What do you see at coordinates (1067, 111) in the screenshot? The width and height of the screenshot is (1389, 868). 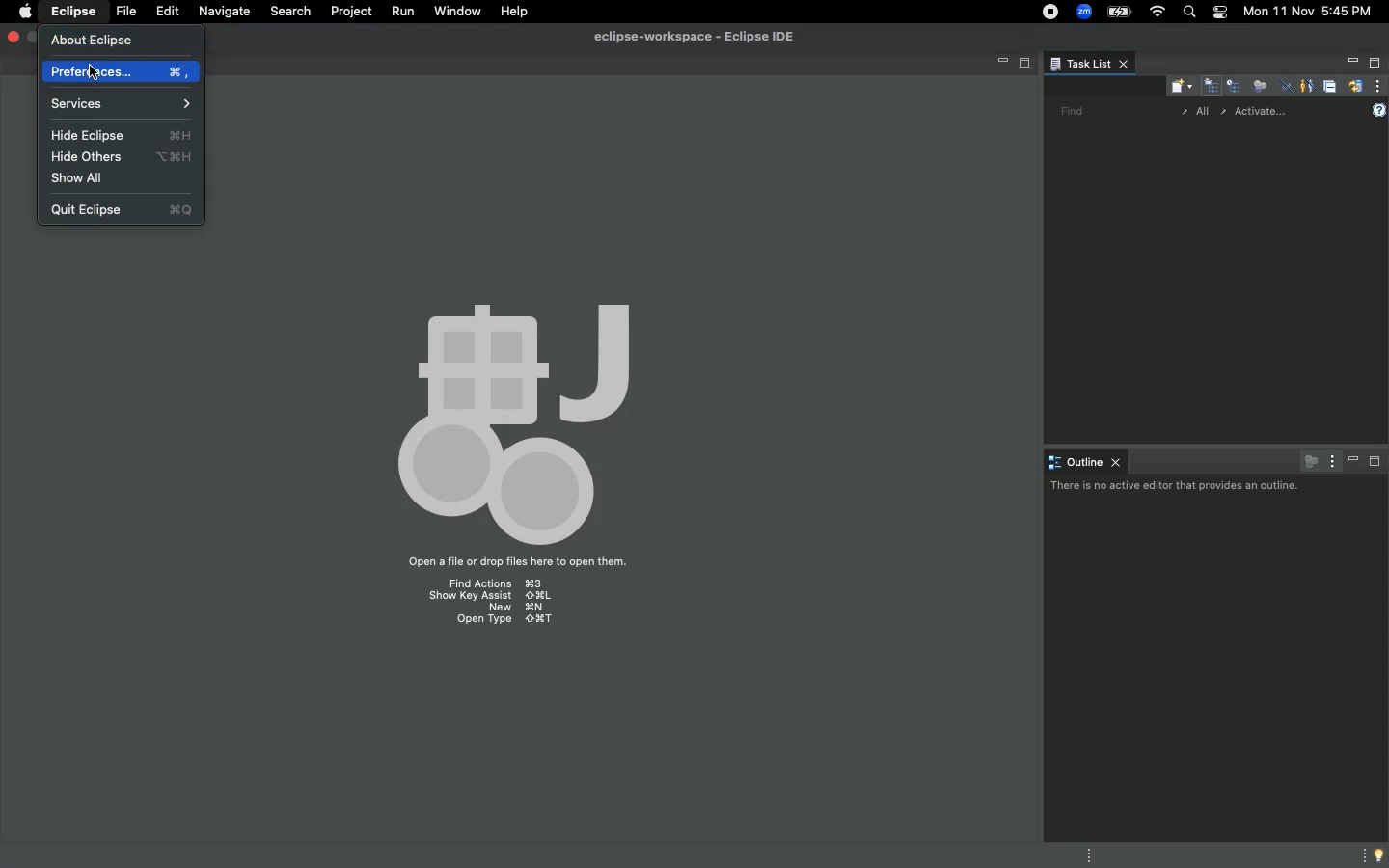 I see `Find` at bounding box center [1067, 111].